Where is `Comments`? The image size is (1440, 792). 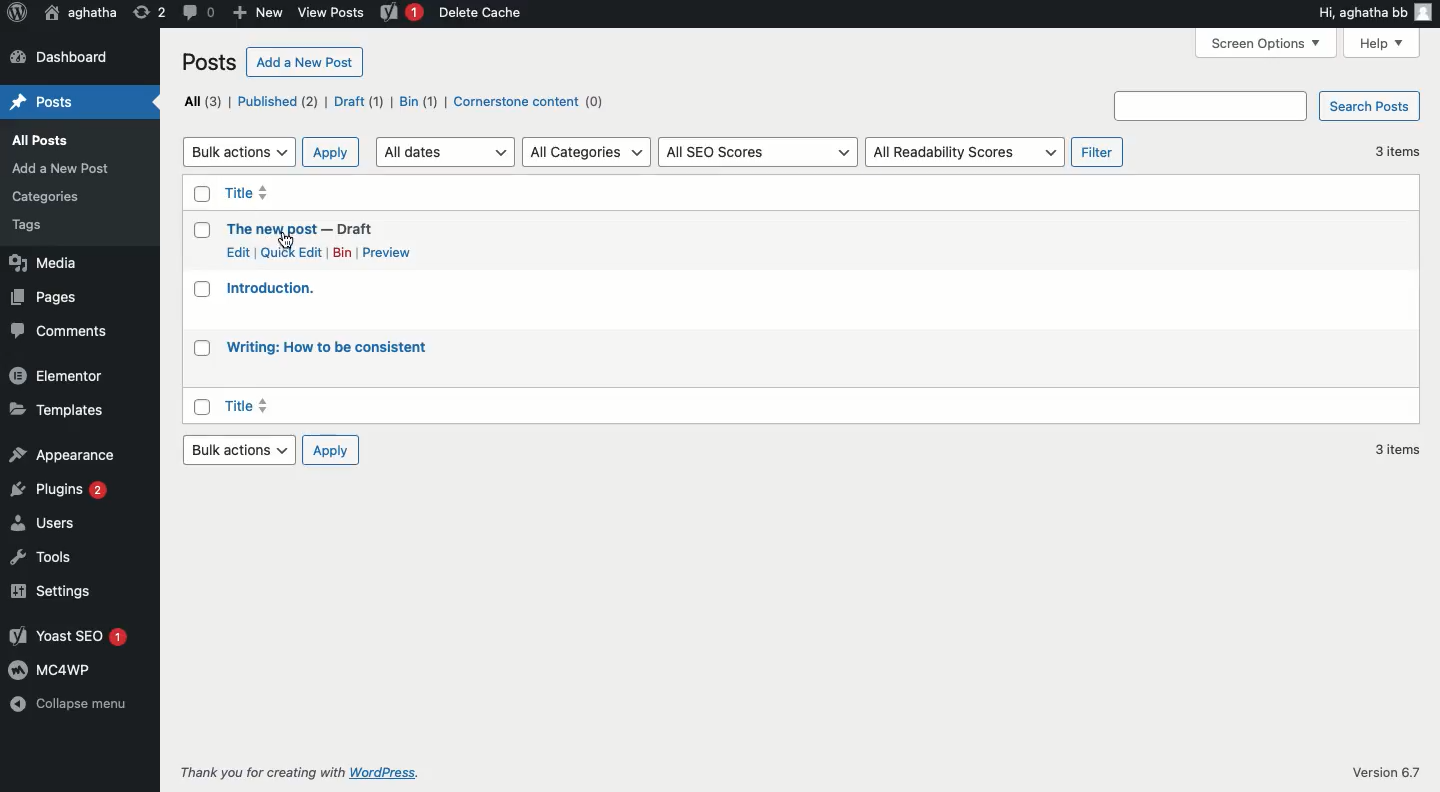
Comments is located at coordinates (65, 329).